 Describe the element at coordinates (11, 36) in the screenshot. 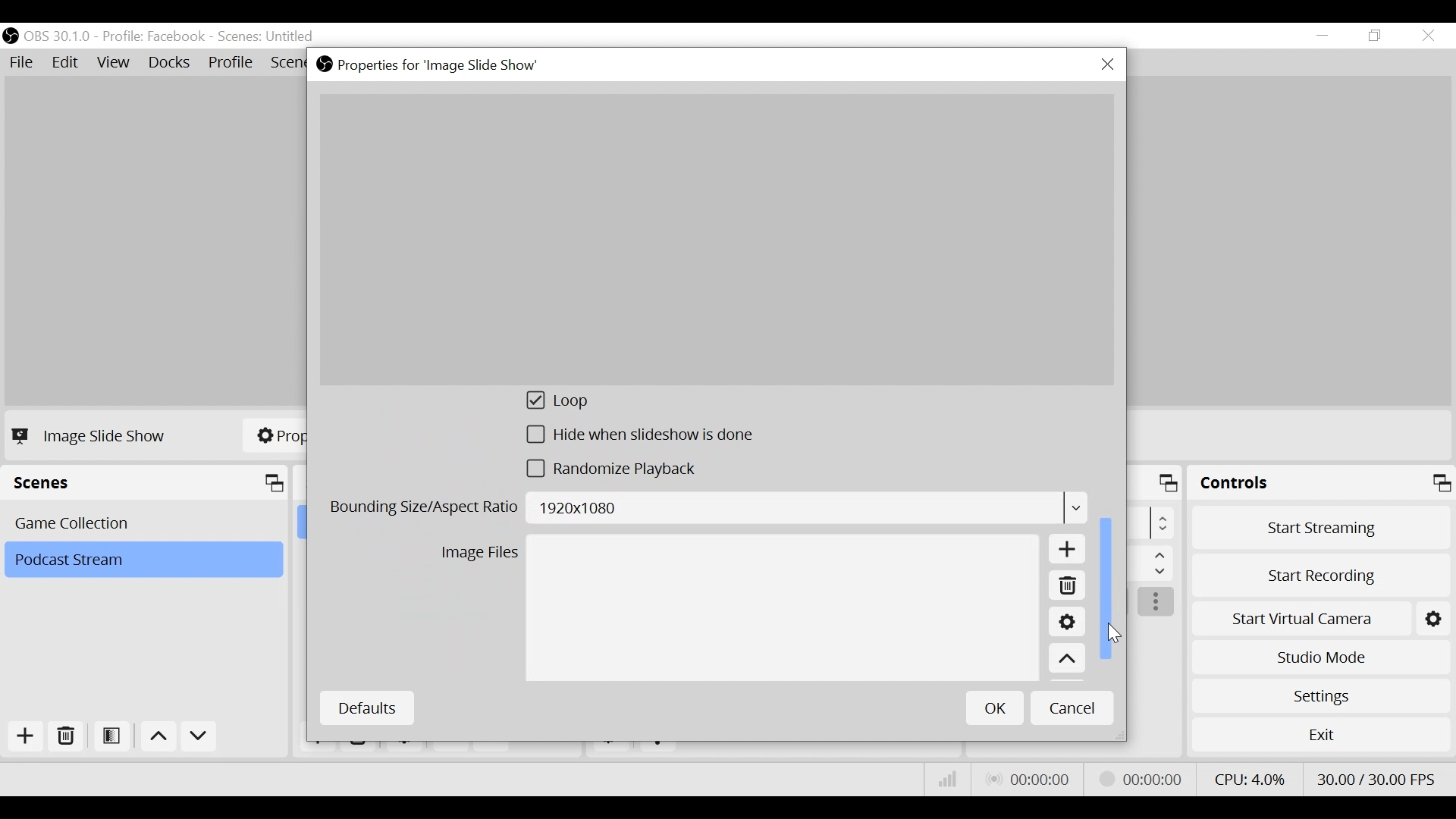

I see `OBS Desktop Icon` at that location.